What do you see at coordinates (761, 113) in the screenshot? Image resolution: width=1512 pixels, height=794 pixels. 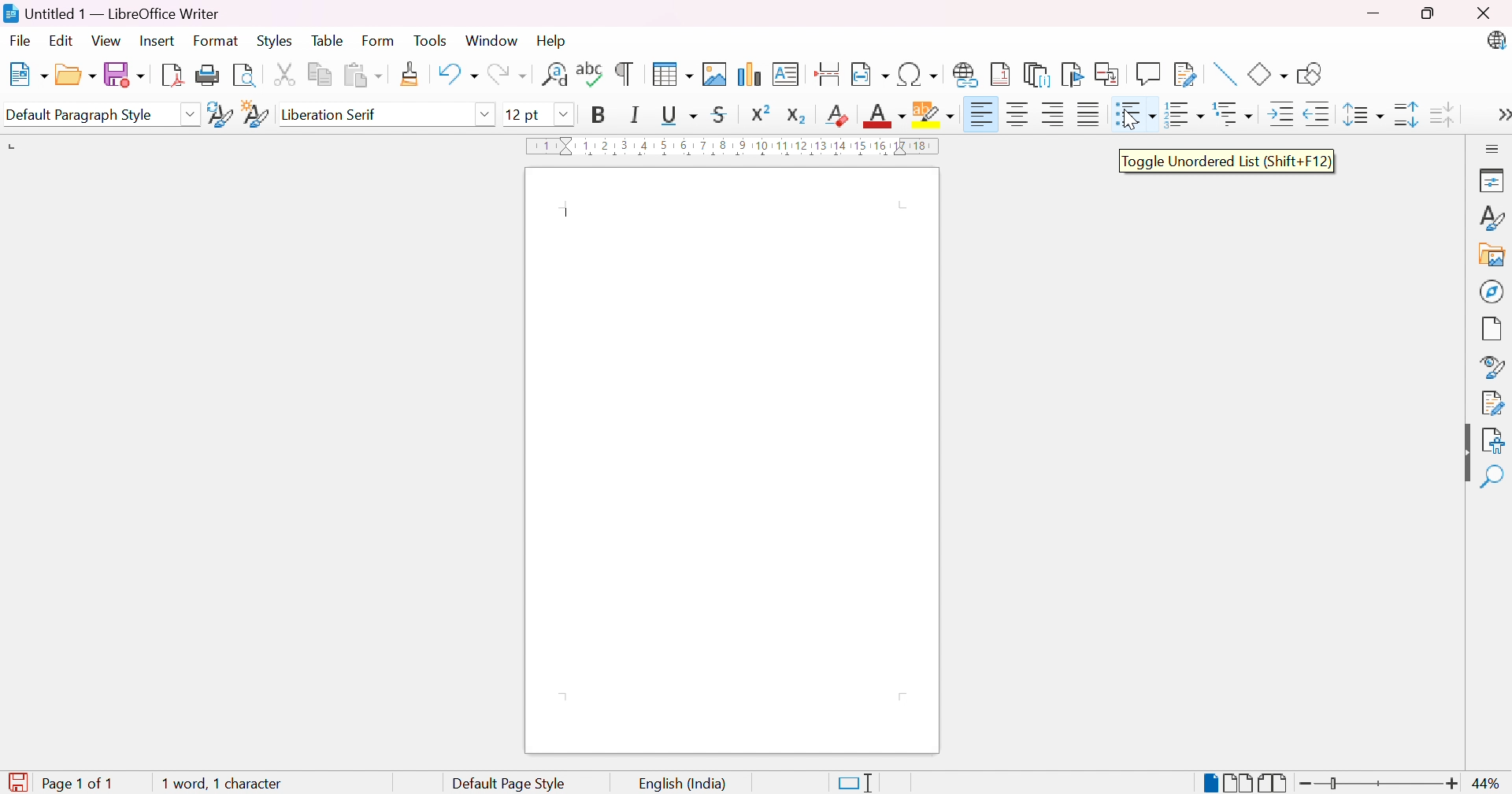 I see `Superscript` at bounding box center [761, 113].